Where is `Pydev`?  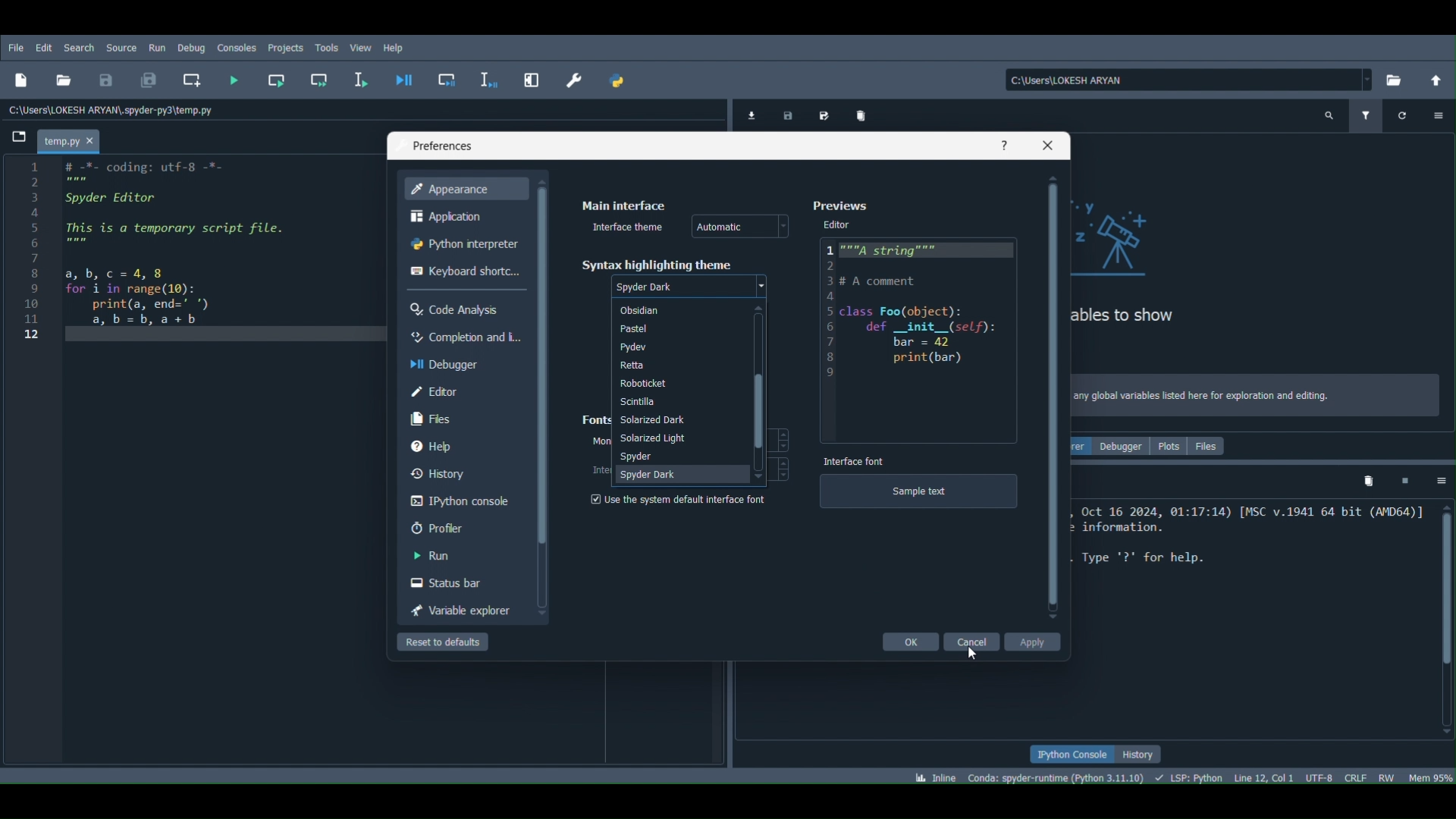
Pydev is located at coordinates (676, 346).